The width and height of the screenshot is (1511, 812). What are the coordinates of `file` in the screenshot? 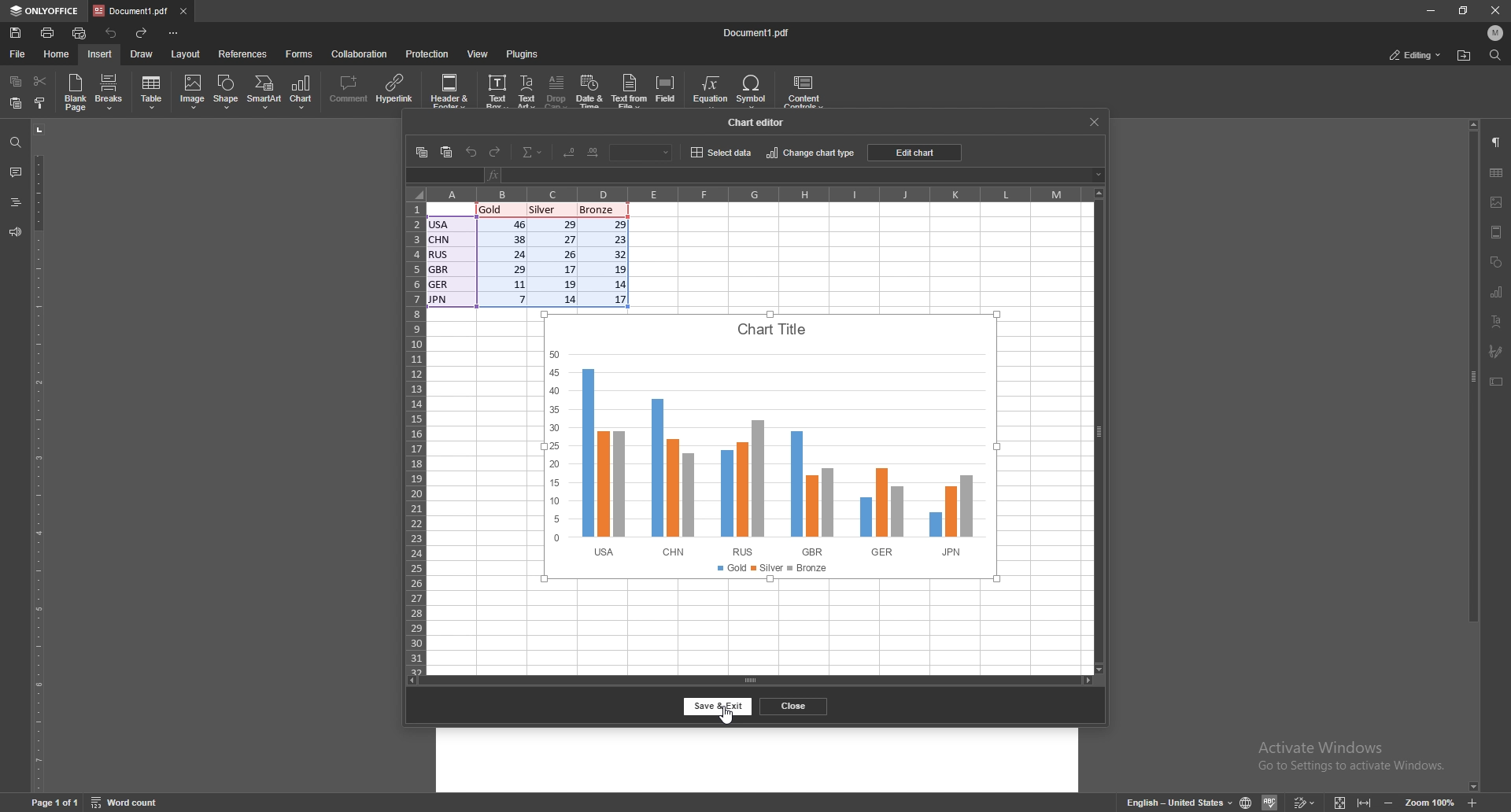 It's located at (18, 54).